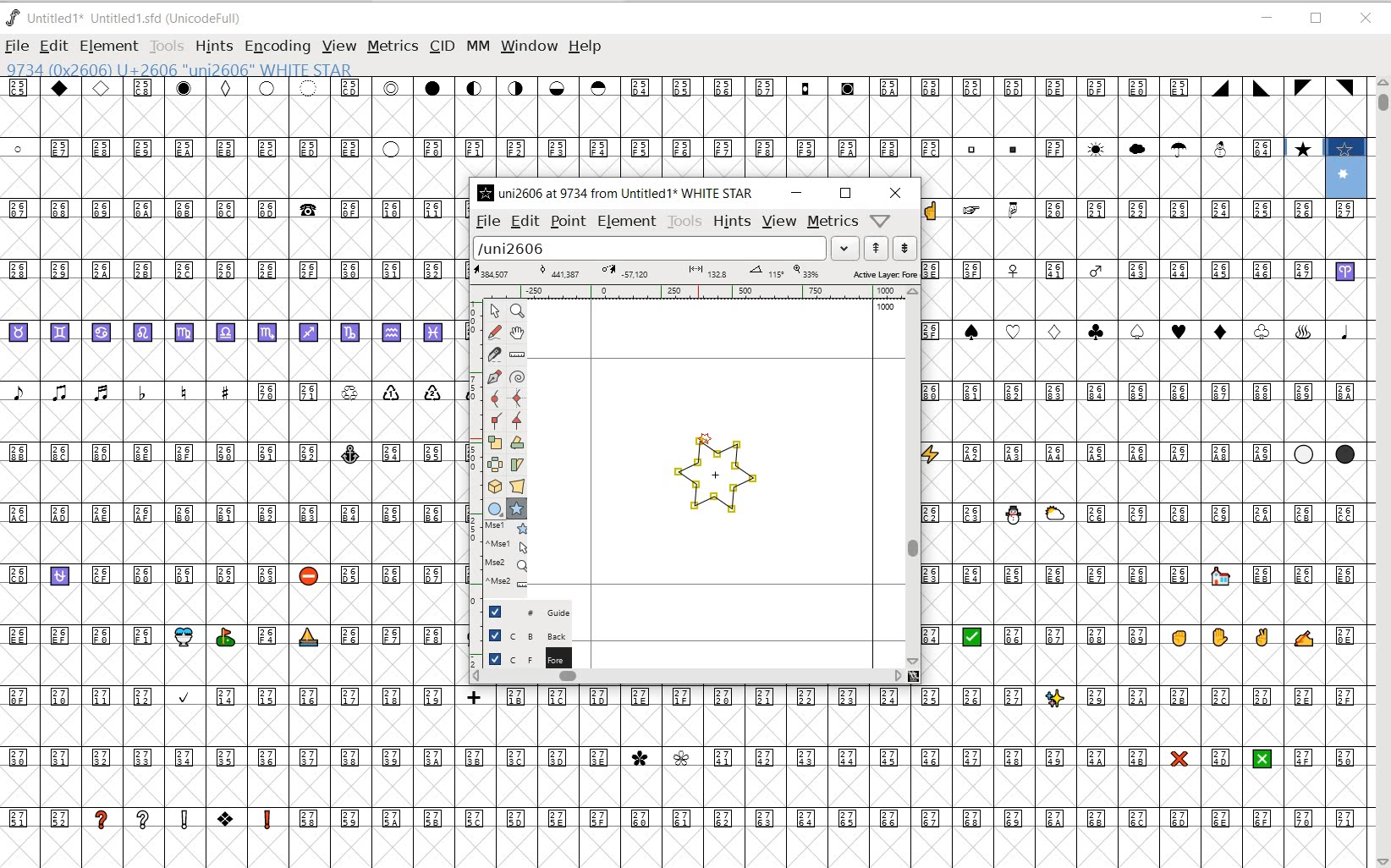  What do you see at coordinates (1318, 19) in the screenshot?
I see `RESTORE` at bounding box center [1318, 19].